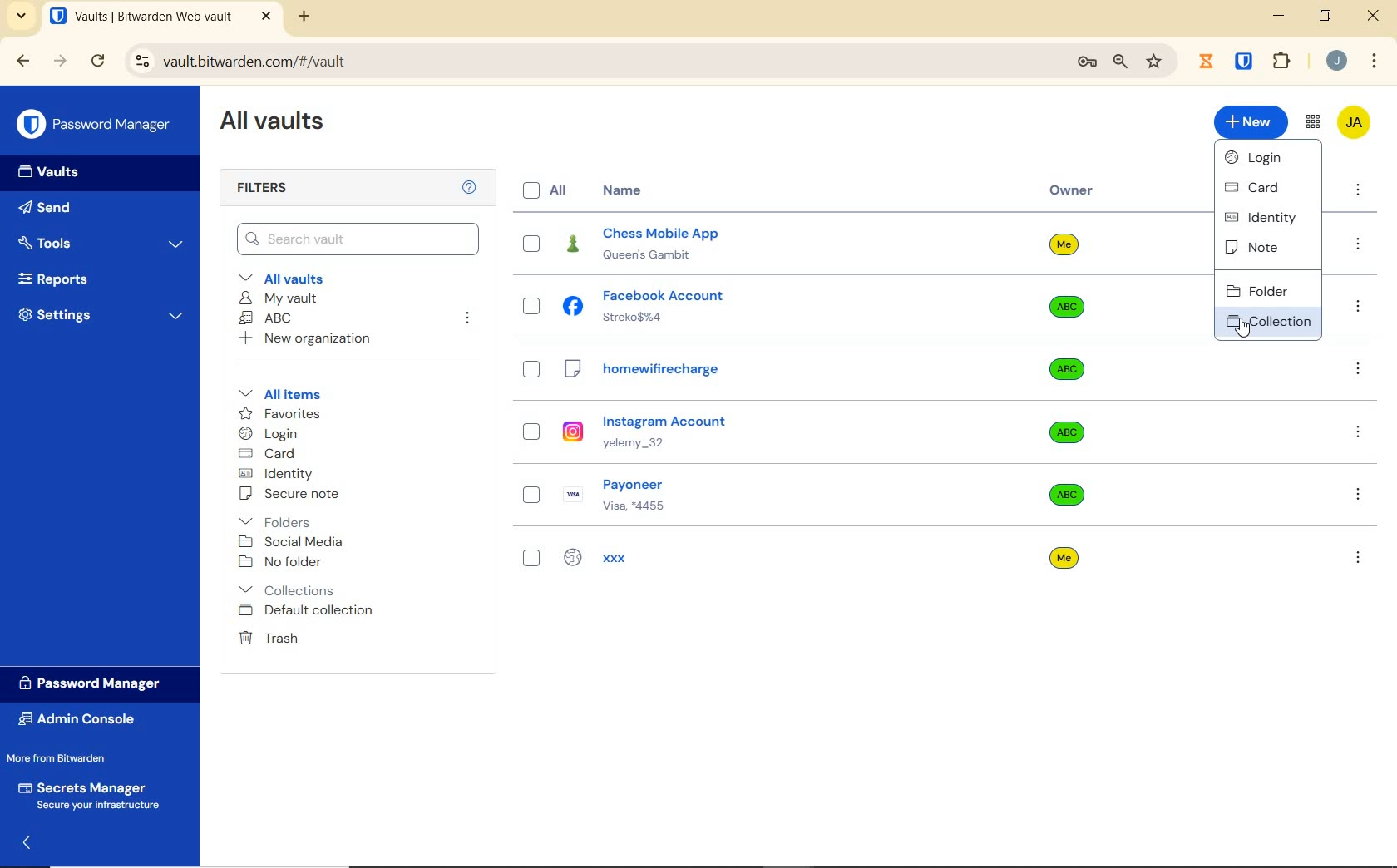 The width and height of the screenshot is (1397, 868). I want to click on identity, so click(1264, 218).